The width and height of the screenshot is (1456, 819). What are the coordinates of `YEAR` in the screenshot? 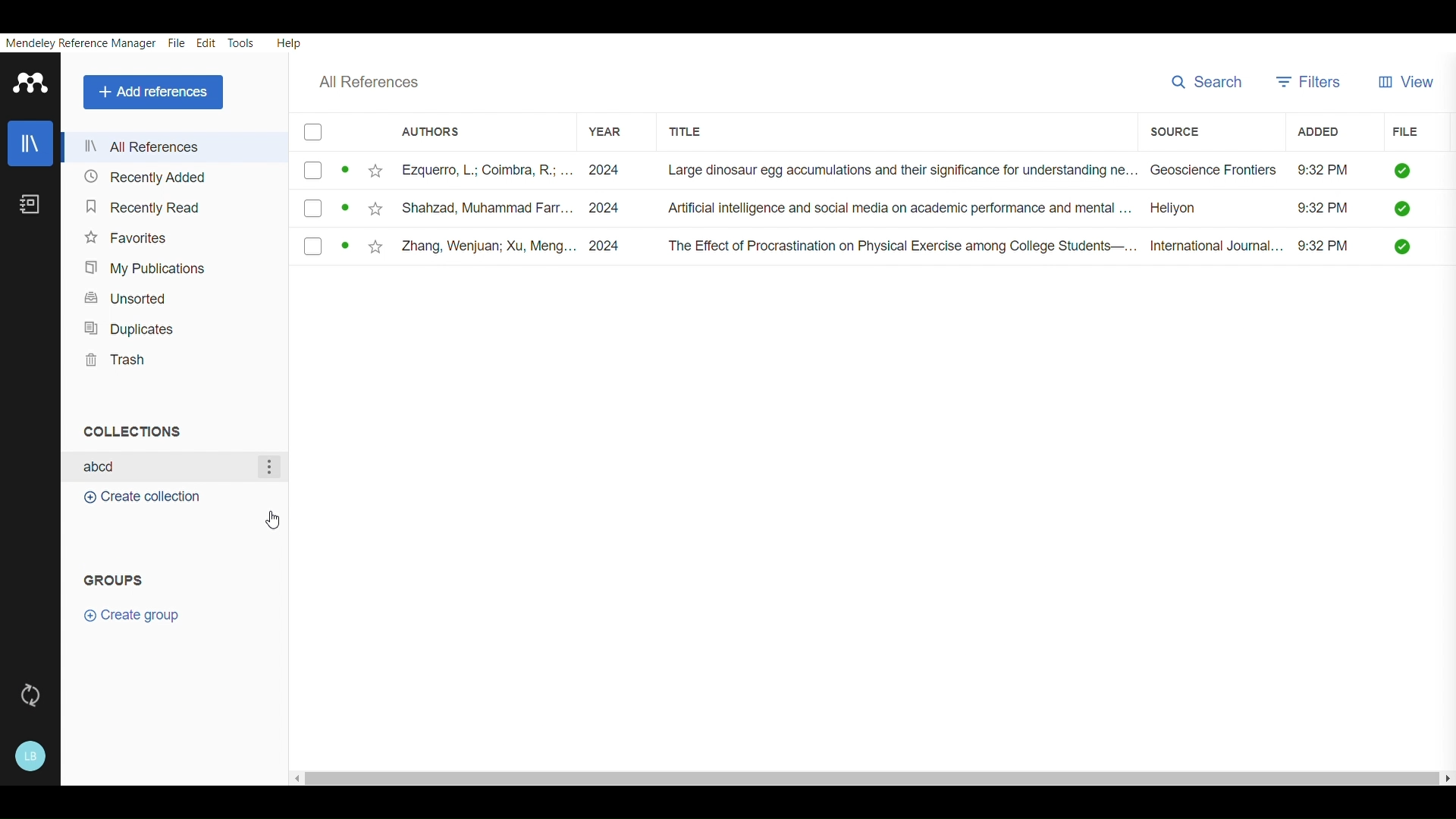 It's located at (599, 125).